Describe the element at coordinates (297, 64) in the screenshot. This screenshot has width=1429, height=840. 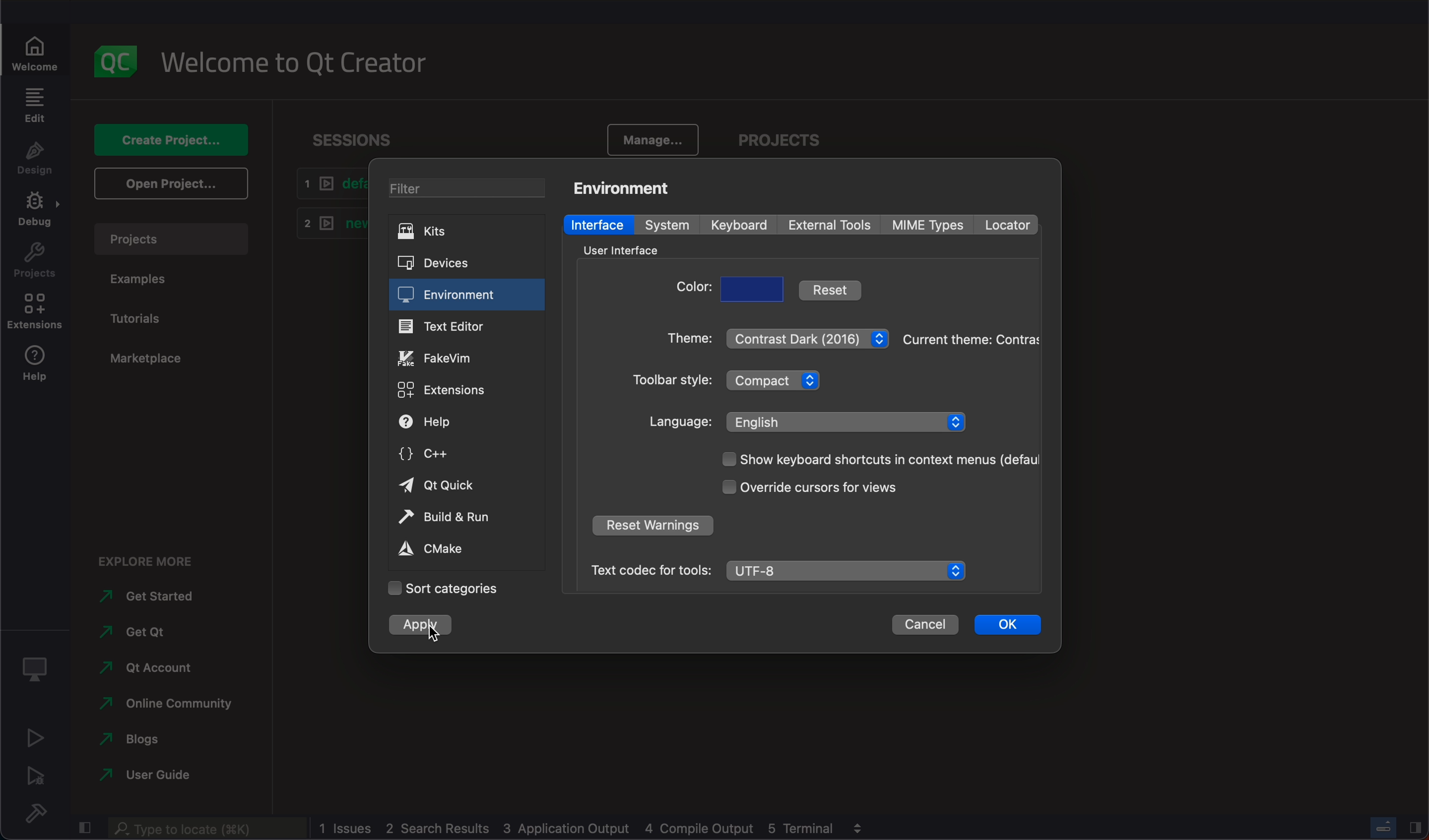
I see `welcome` at that location.